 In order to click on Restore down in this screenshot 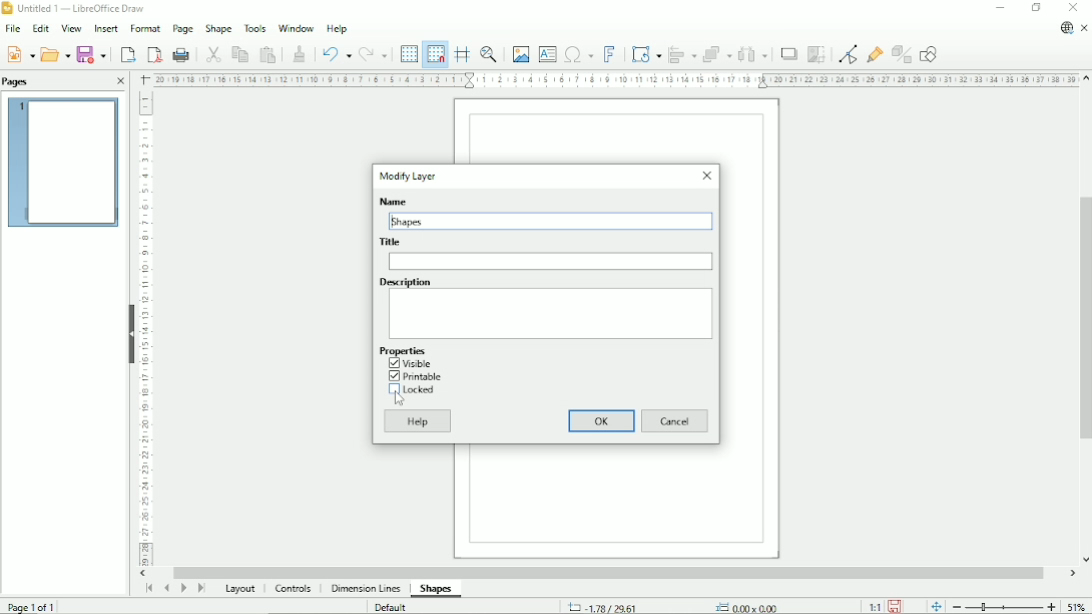, I will do `click(1036, 8)`.